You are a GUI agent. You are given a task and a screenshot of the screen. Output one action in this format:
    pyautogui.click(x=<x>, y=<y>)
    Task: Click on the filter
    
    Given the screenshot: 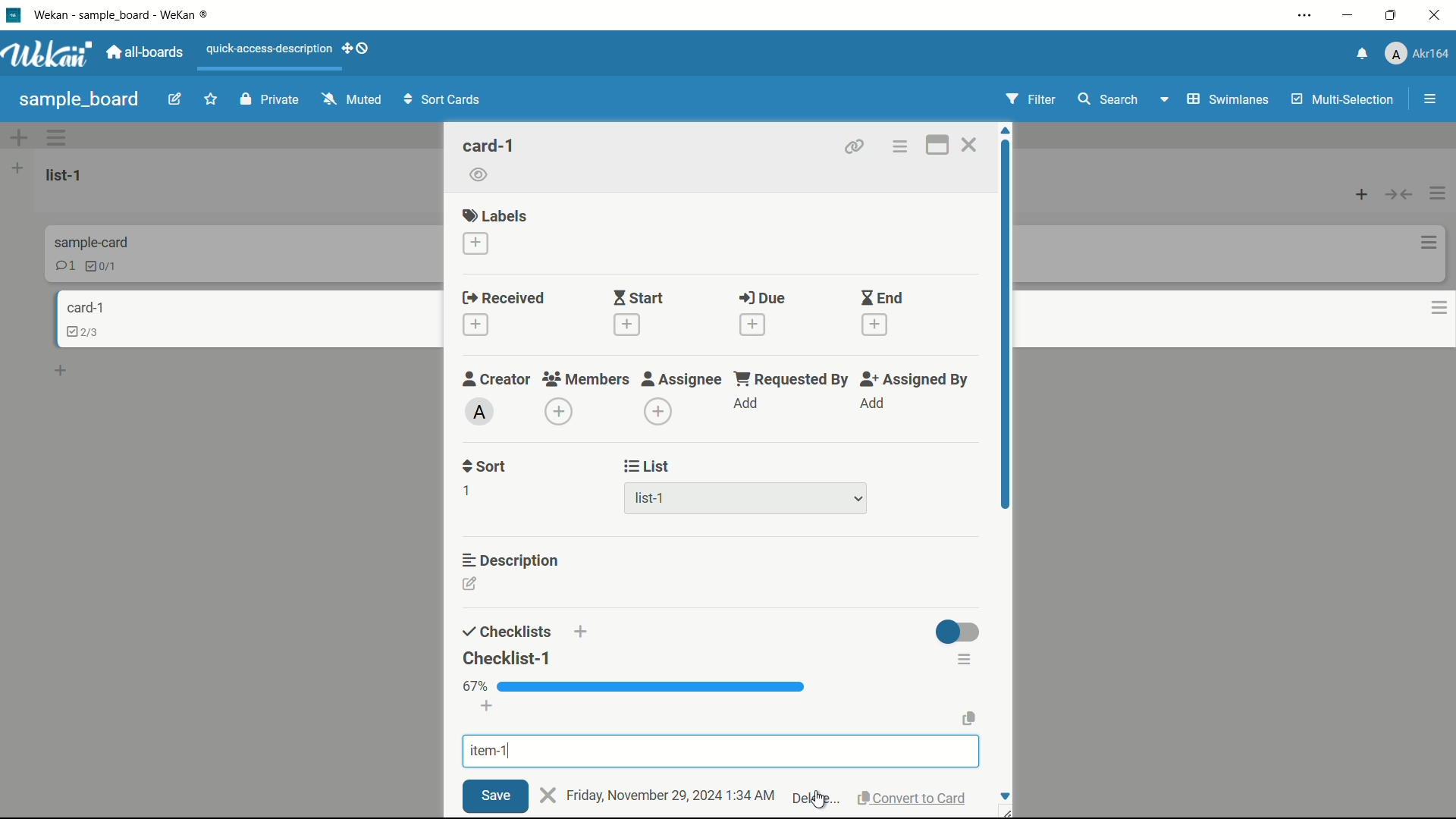 What is the action you would take?
    pyautogui.click(x=1030, y=99)
    